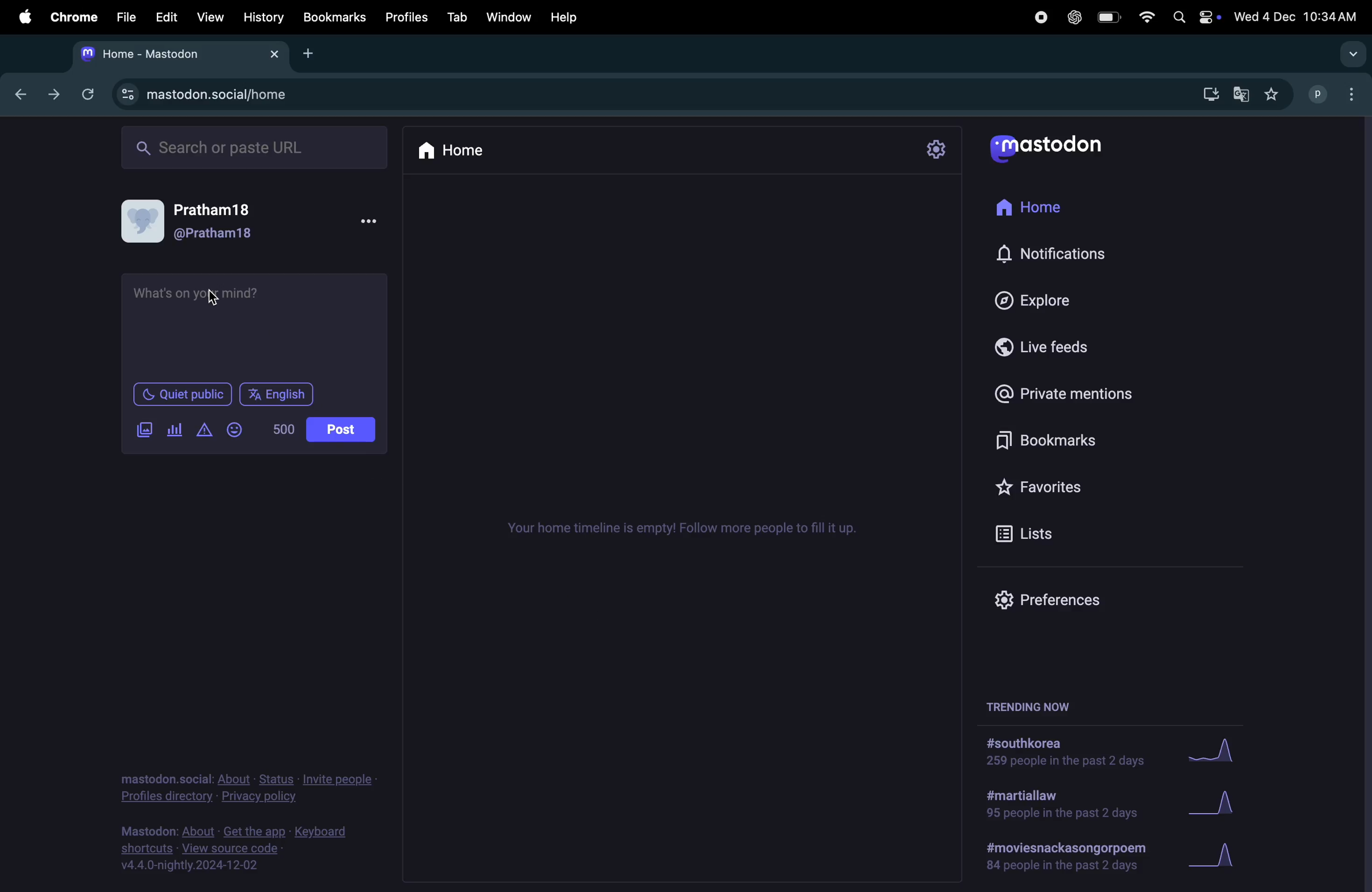 The height and width of the screenshot is (892, 1372). I want to click on apple widgets, so click(1194, 18).